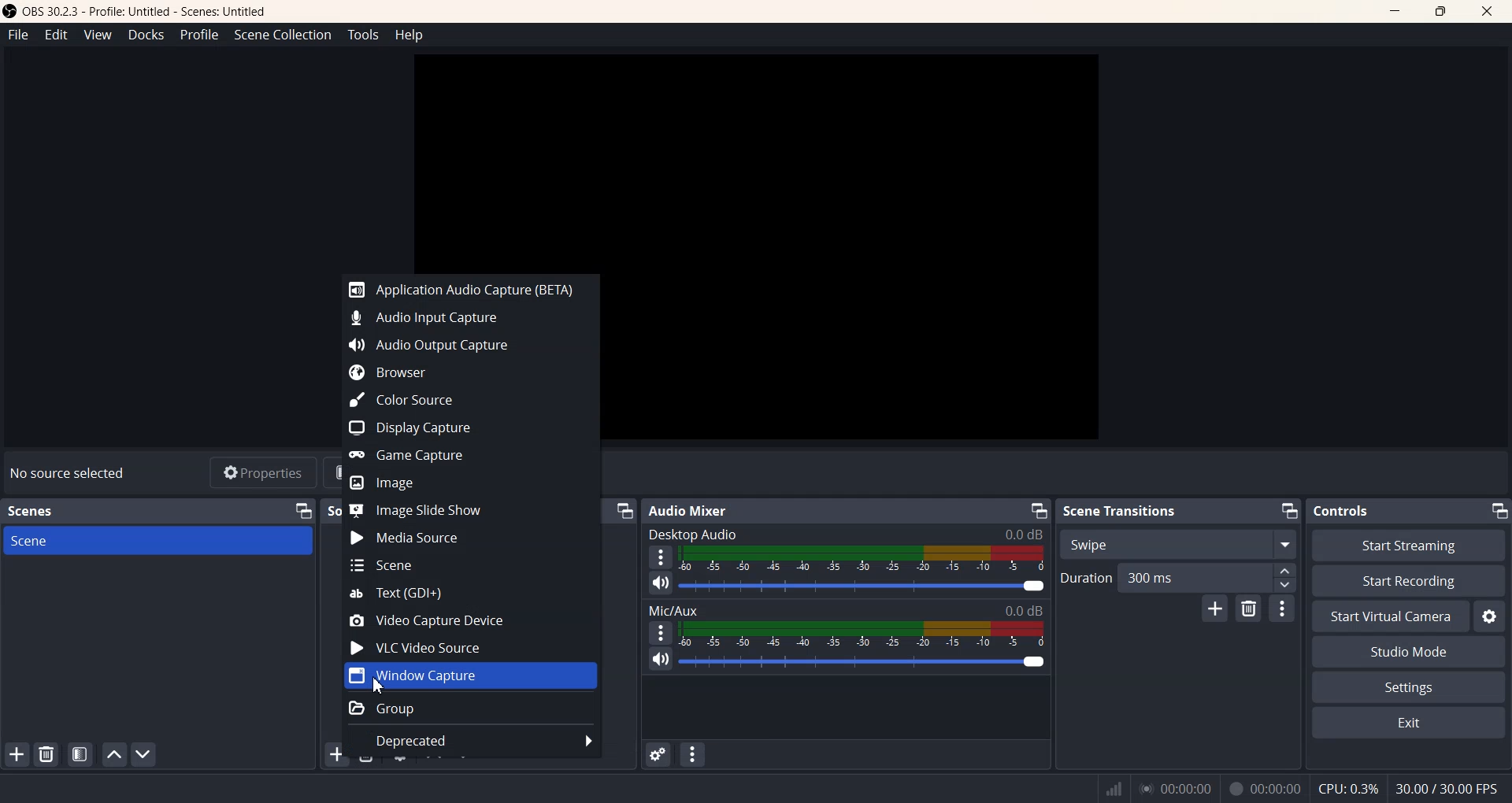  Describe the element at coordinates (31, 511) in the screenshot. I see `Scenes` at that location.